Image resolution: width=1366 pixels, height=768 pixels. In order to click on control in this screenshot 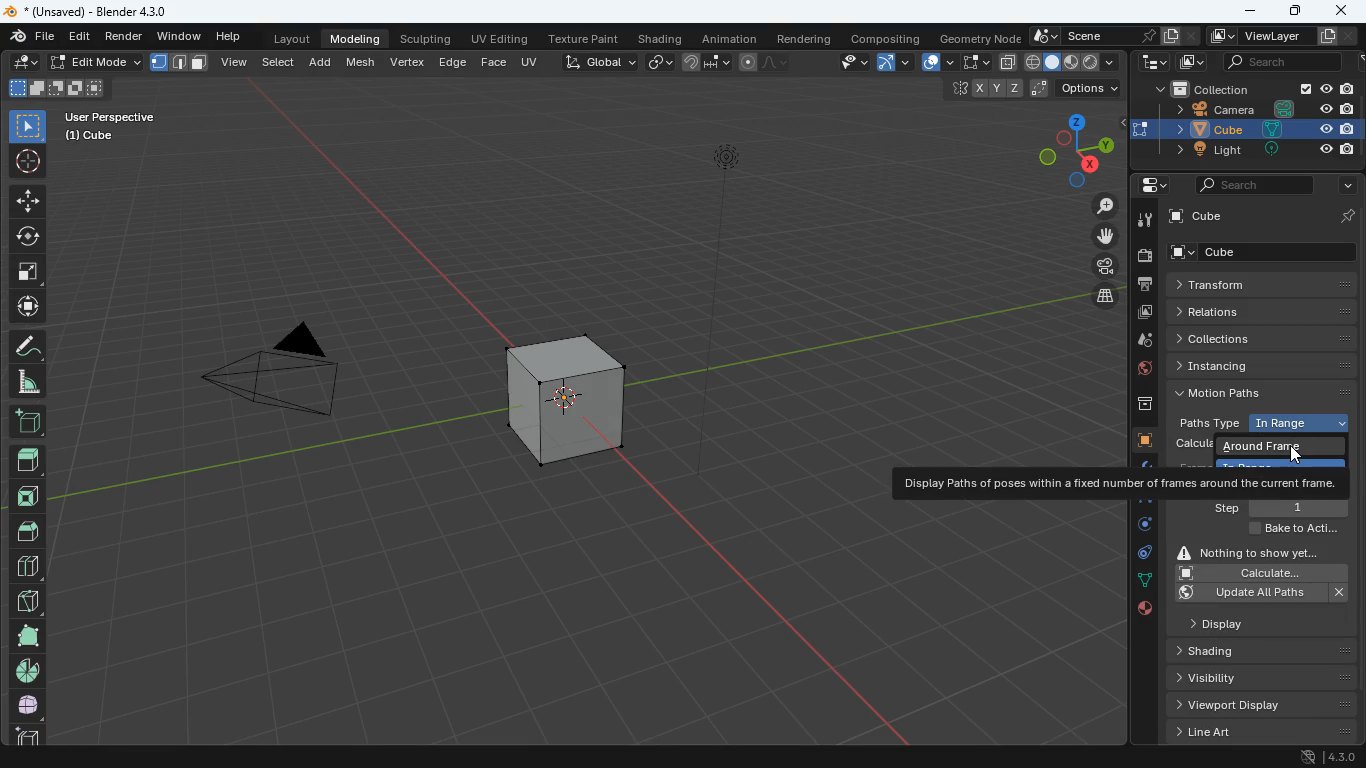, I will do `click(1139, 556)`.